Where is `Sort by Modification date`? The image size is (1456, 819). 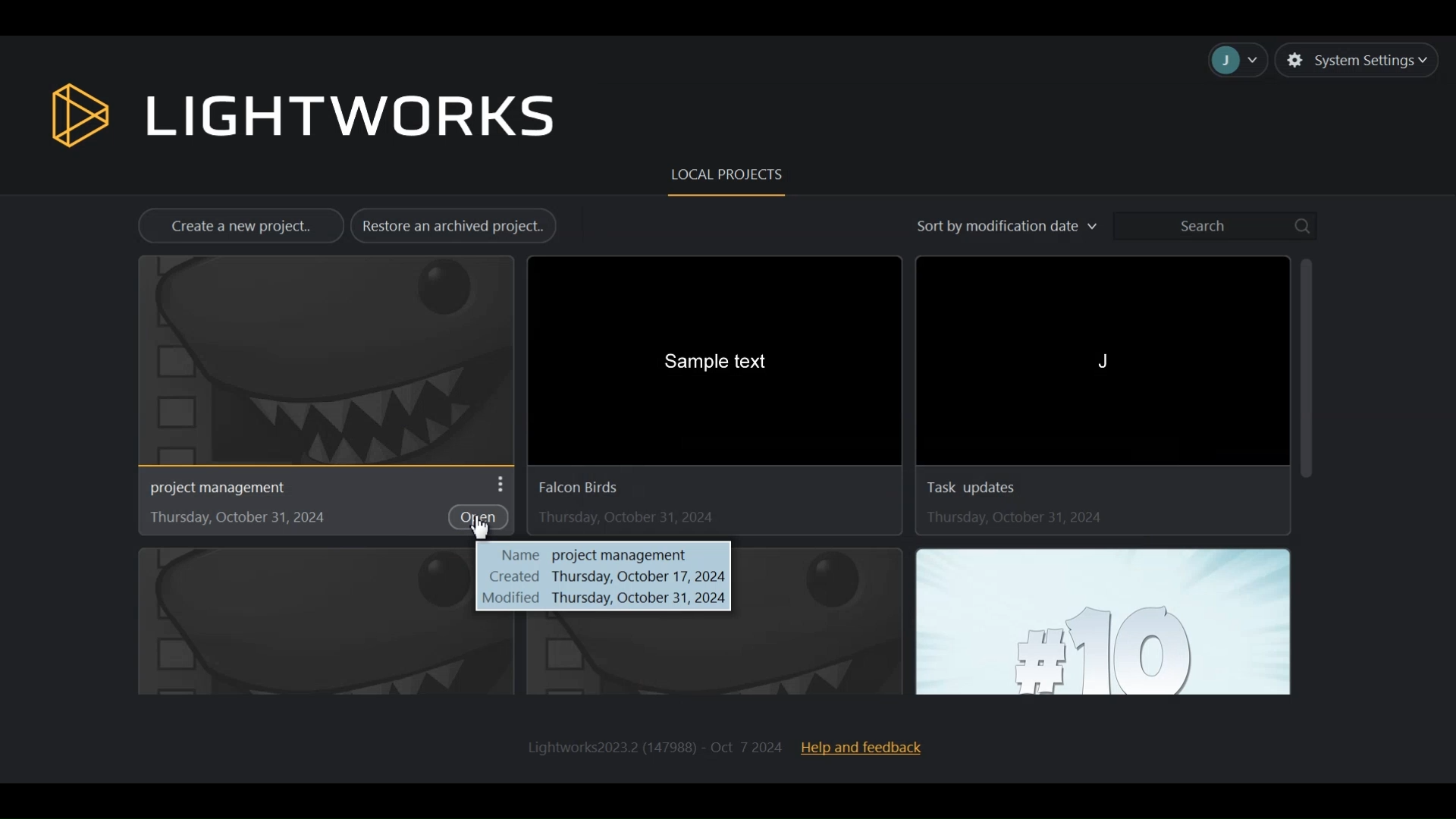 Sort by Modification date is located at coordinates (1009, 228).